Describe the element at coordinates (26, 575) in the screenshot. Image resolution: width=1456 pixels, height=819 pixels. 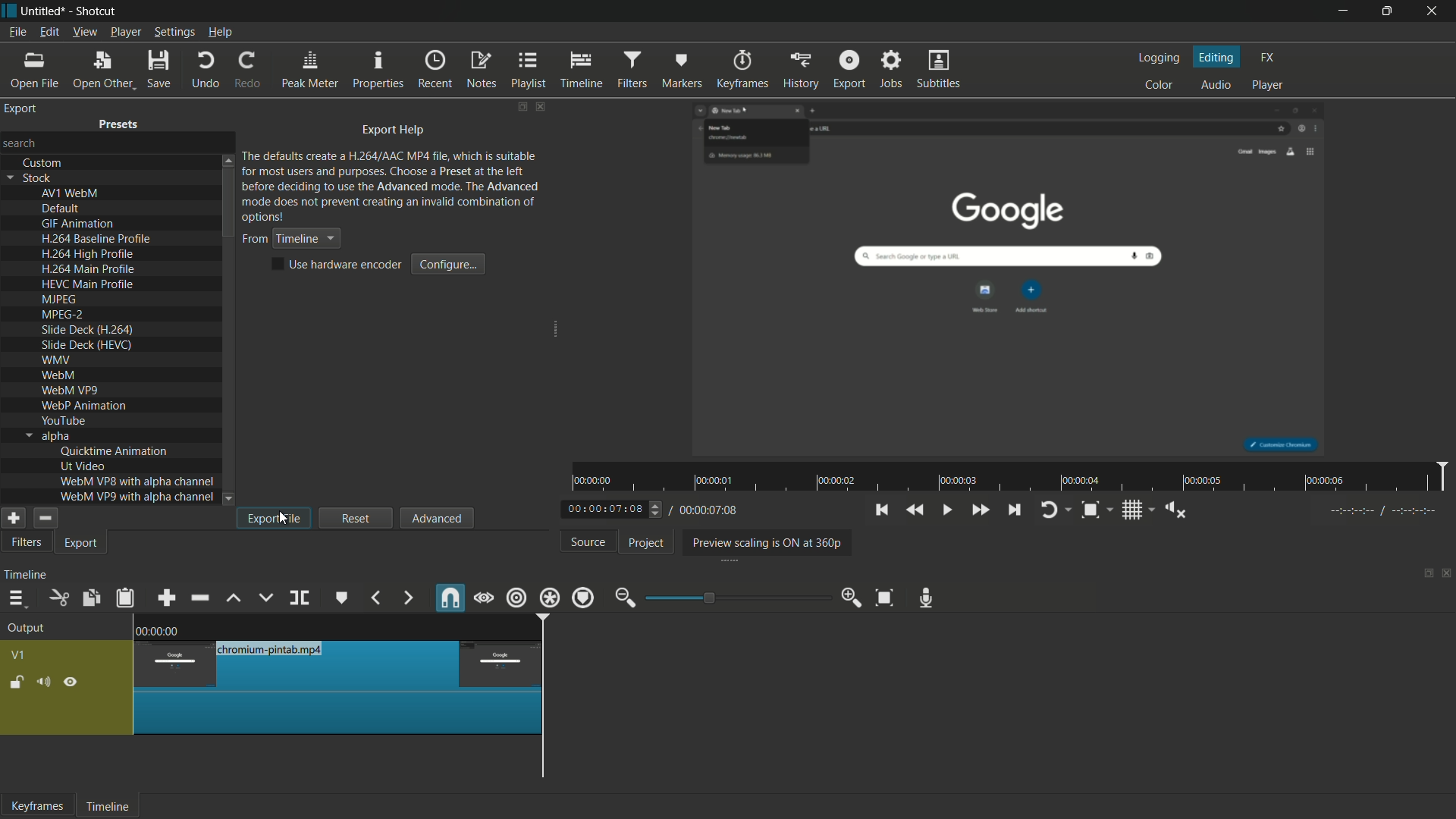
I see `timeline` at that location.